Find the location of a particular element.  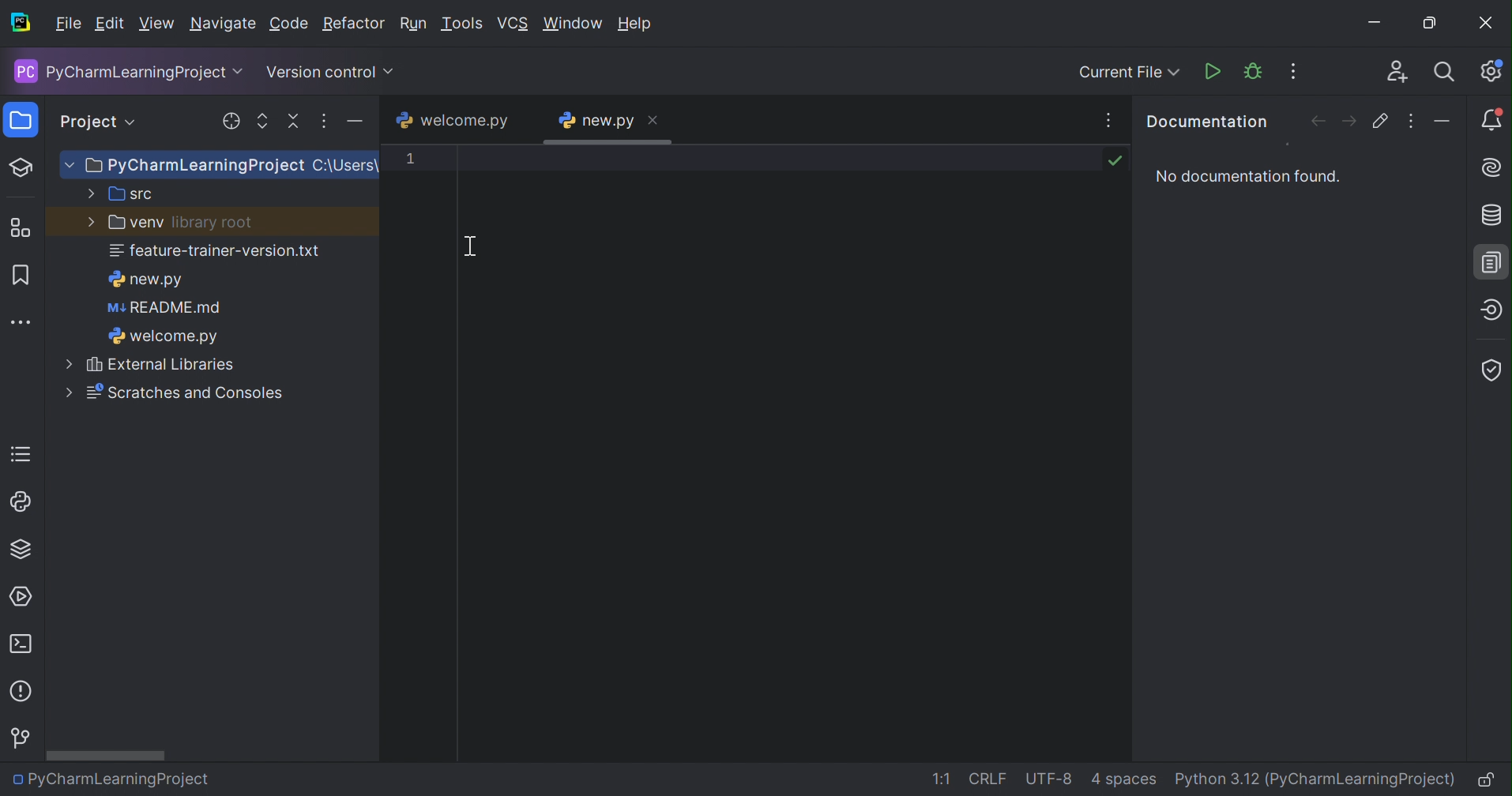

PyCharmLearningProject is located at coordinates (118, 71).